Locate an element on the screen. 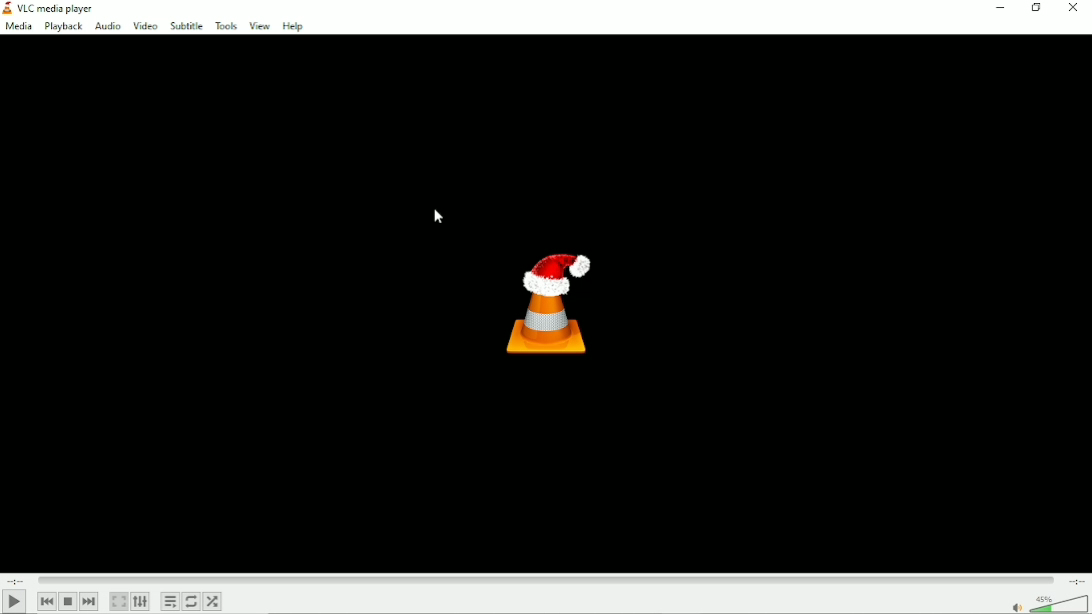  Logo is located at coordinates (545, 306).